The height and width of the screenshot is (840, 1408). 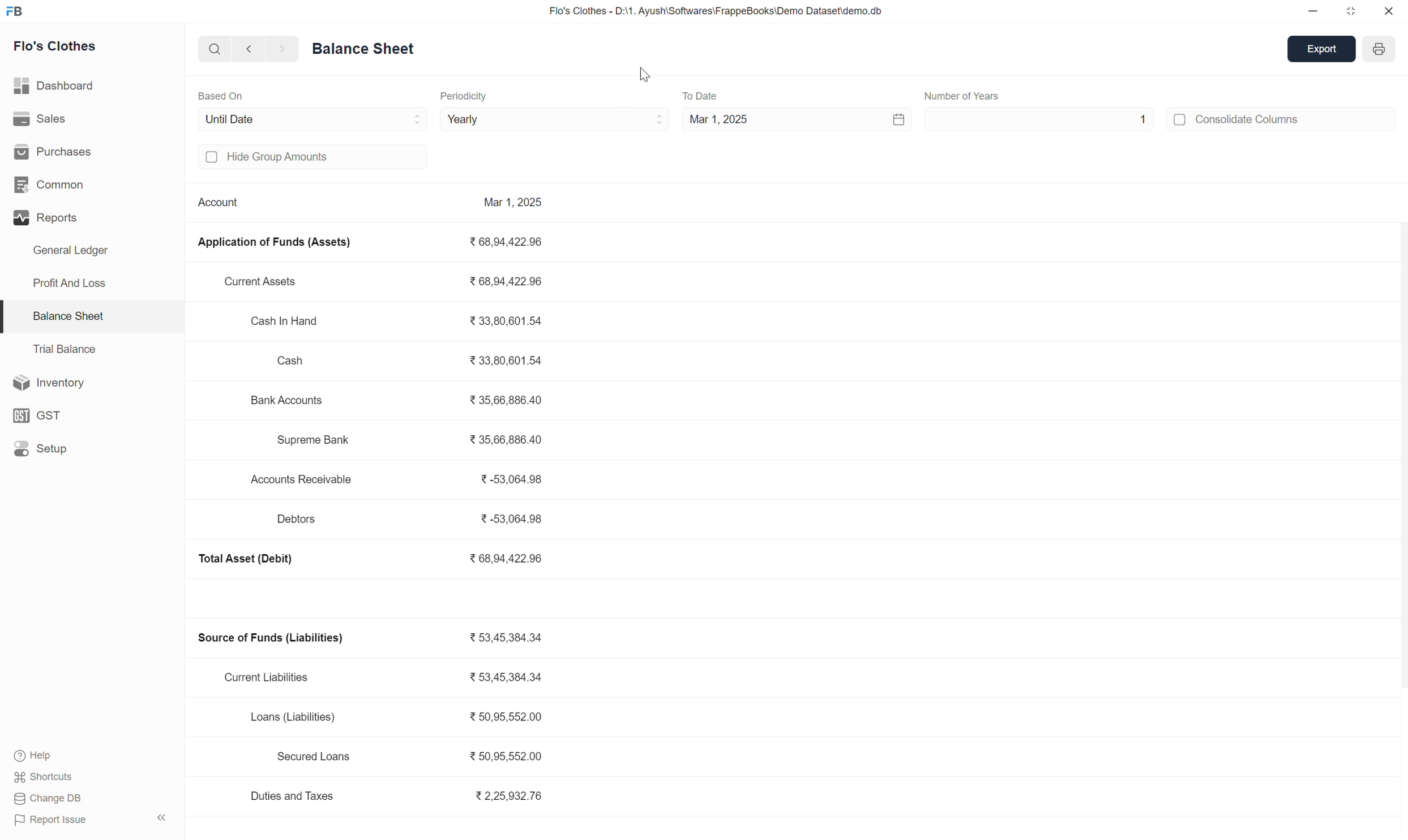 I want to click on 33,80,601.54, so click(x=511, y=359).